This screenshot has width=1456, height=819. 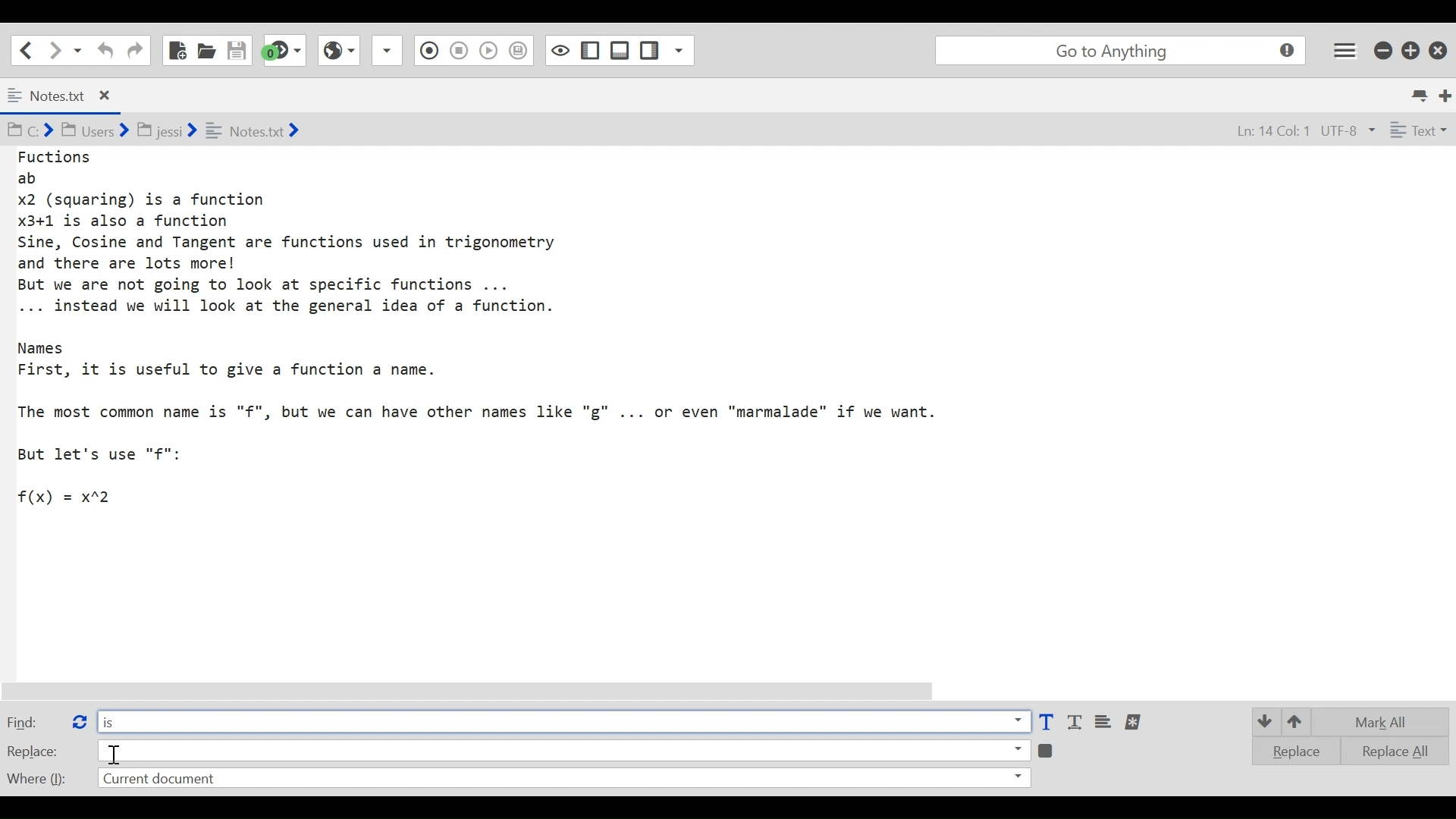 What do you see at coordinates (1446, 94) in the screenshot?
I see `New Tab` at bounding box center [1446, 94].